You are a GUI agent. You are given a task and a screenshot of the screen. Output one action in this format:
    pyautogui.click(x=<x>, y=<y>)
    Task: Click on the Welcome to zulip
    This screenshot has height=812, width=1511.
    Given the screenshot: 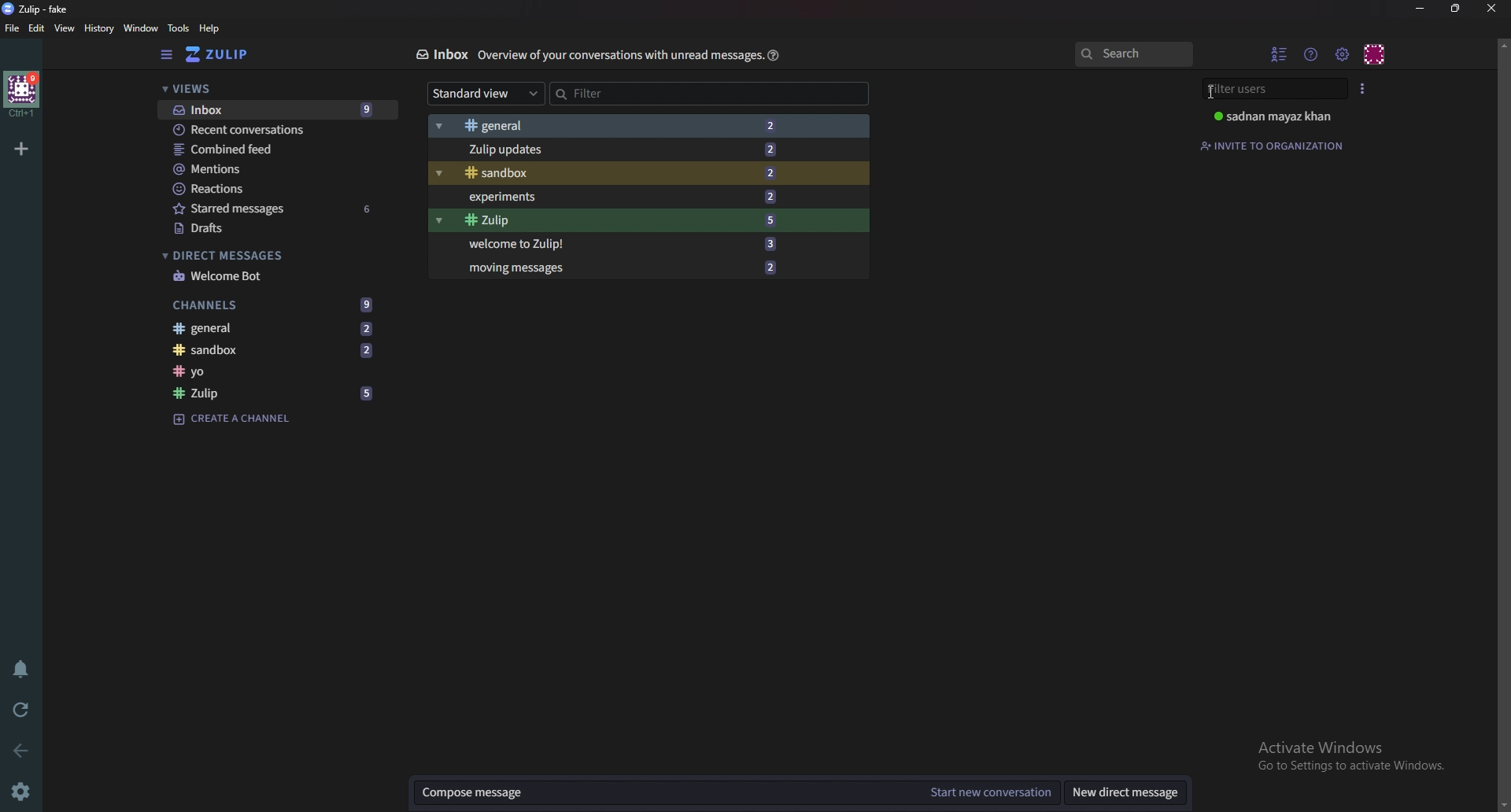 What is the action you would take?
    pyautogui.click(x=622, y=244)
    